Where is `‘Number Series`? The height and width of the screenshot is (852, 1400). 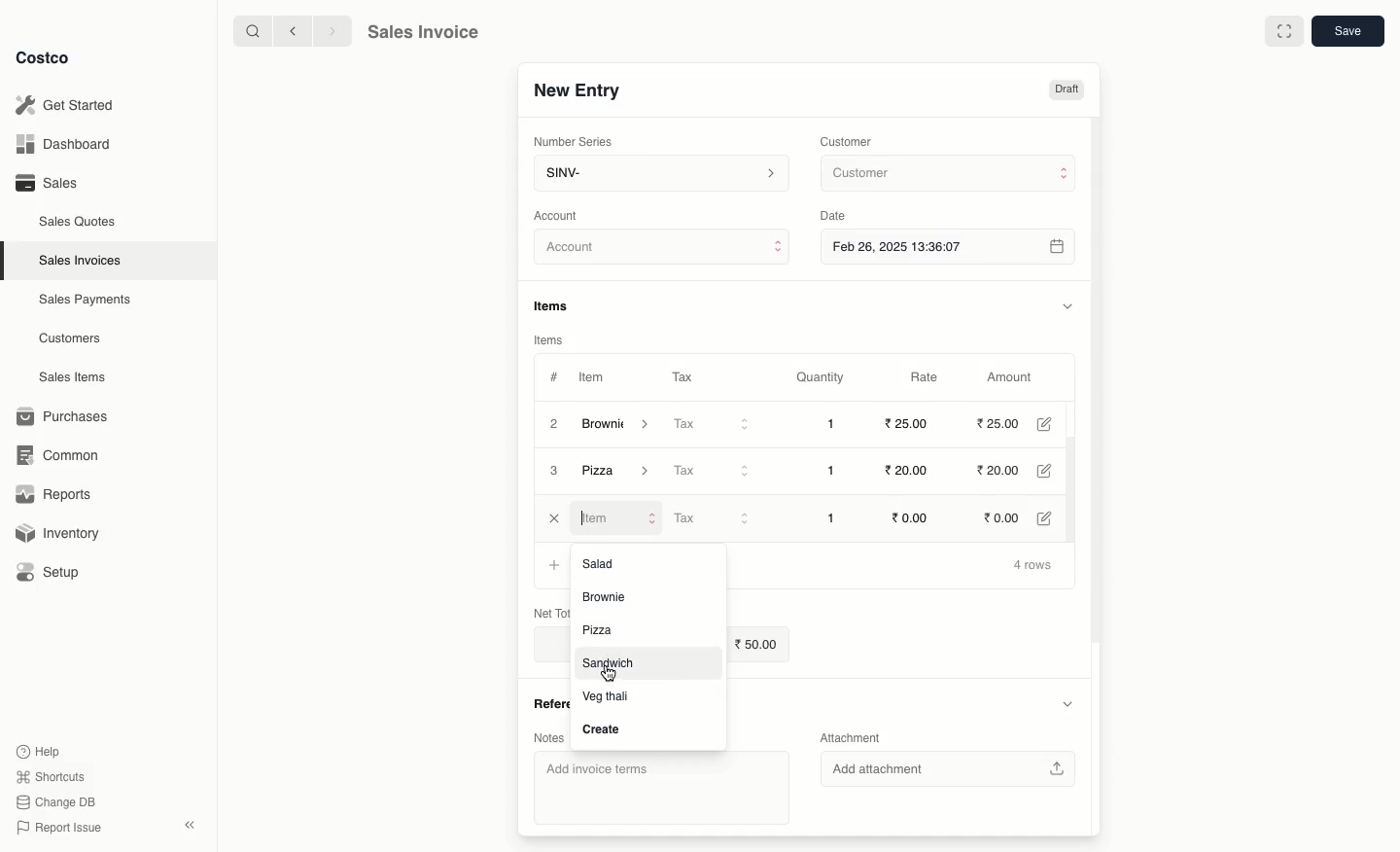 ‘Number Series is located at coordinates (570, 142).